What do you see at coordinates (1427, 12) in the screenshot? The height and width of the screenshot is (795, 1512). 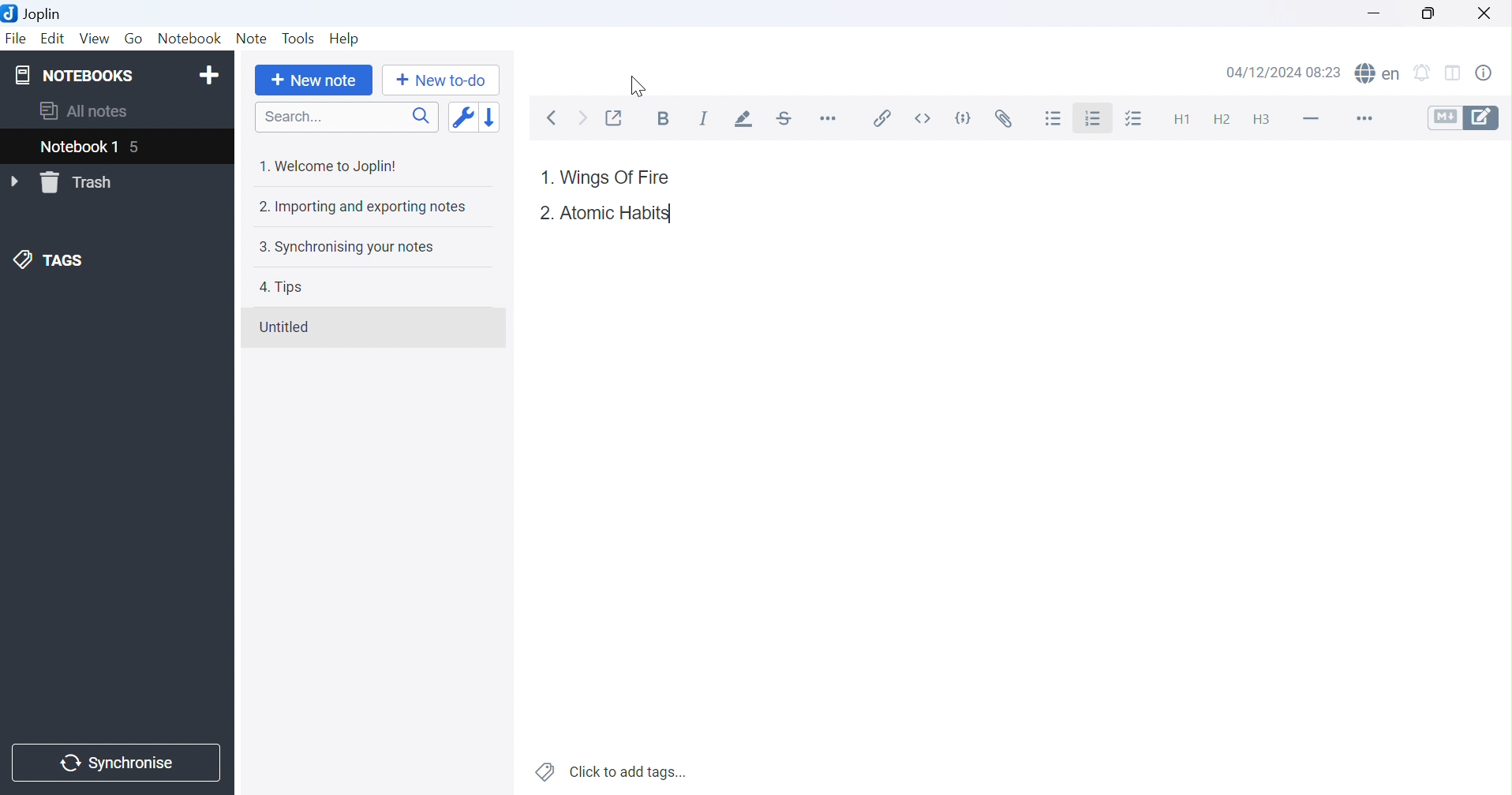 I see `Restore Down` at bounding box center [1427, 12].